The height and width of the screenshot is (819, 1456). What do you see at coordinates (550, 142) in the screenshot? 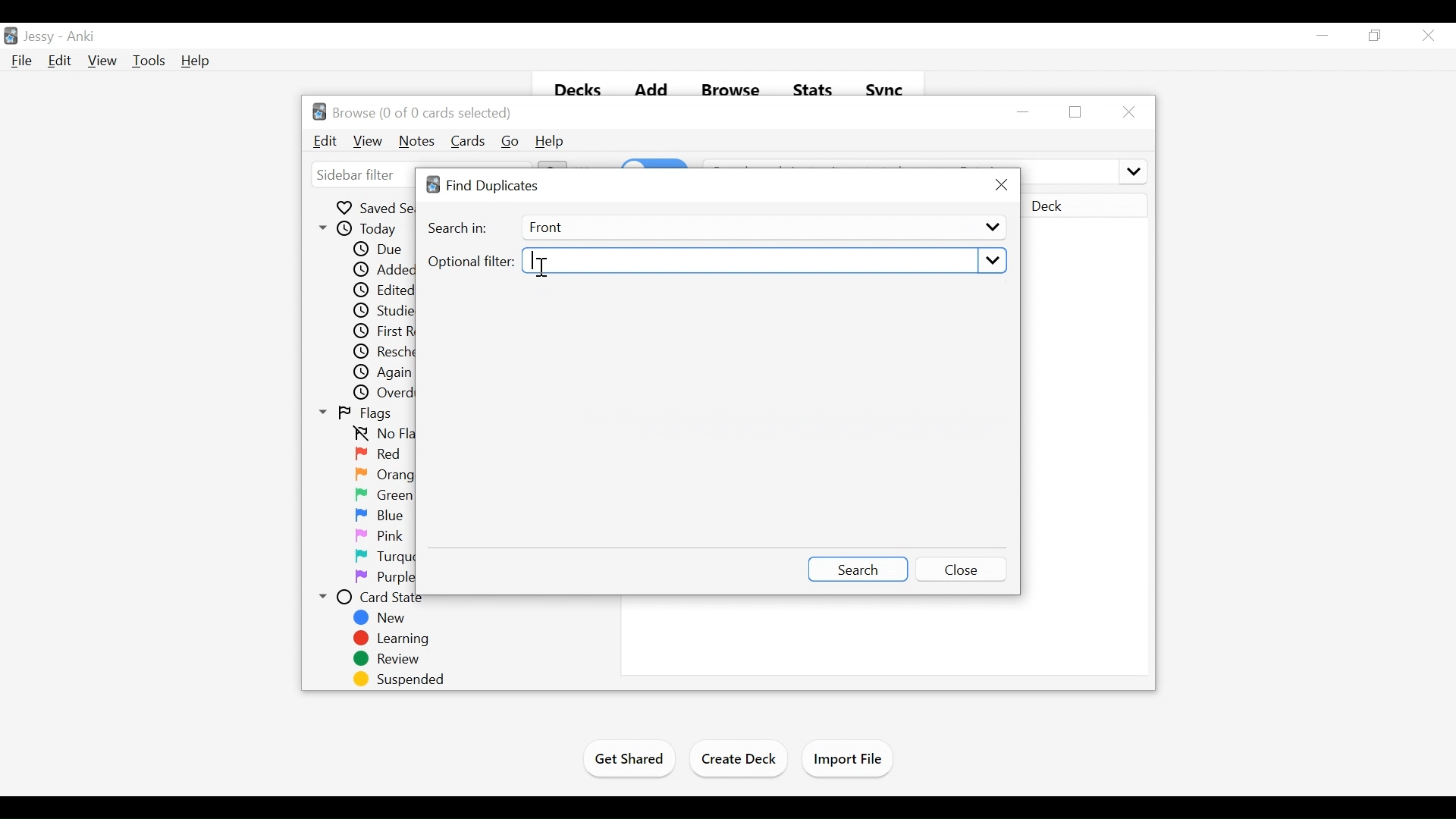
I see `Help` at bounding box center [550, 142].